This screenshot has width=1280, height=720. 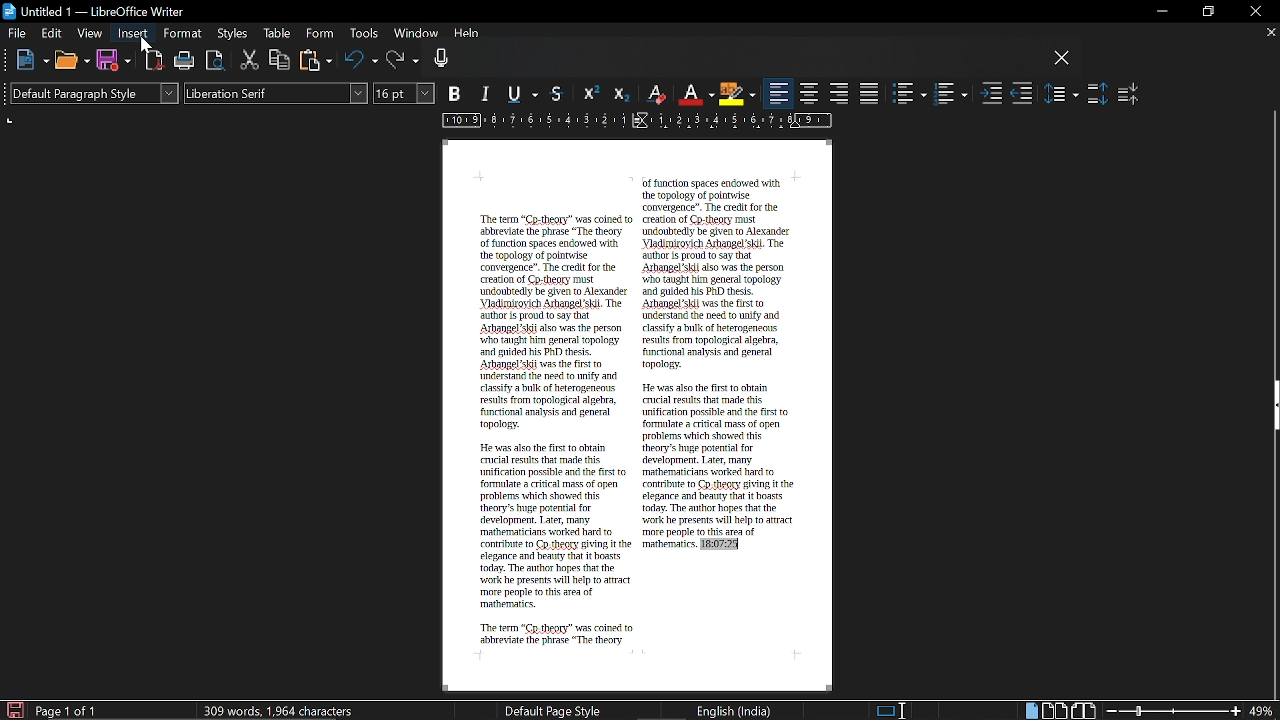 I want to click on mathematics, so click(x=667, y=546).